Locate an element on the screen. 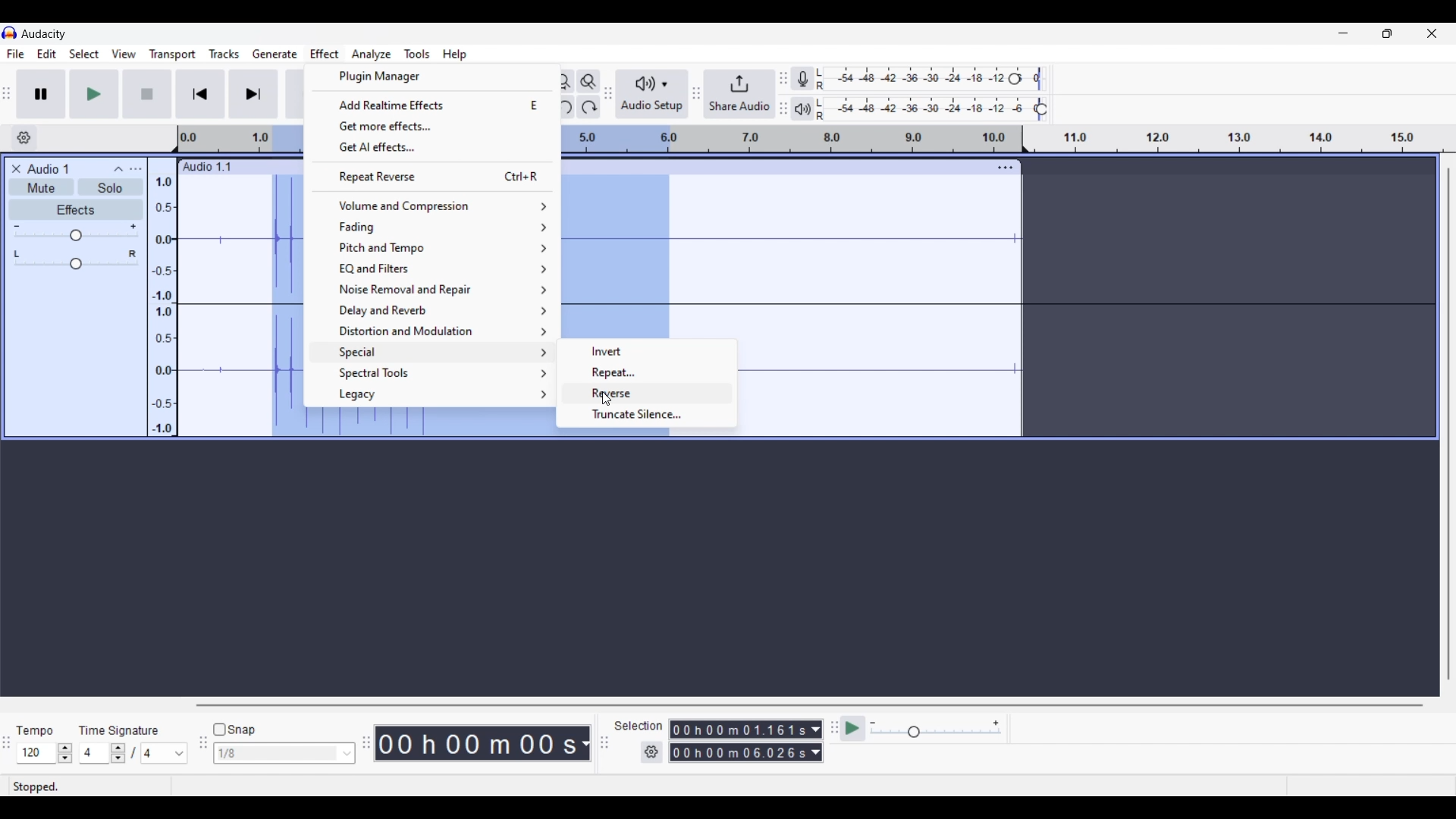  Open menu is located at coordinates (135, 169).